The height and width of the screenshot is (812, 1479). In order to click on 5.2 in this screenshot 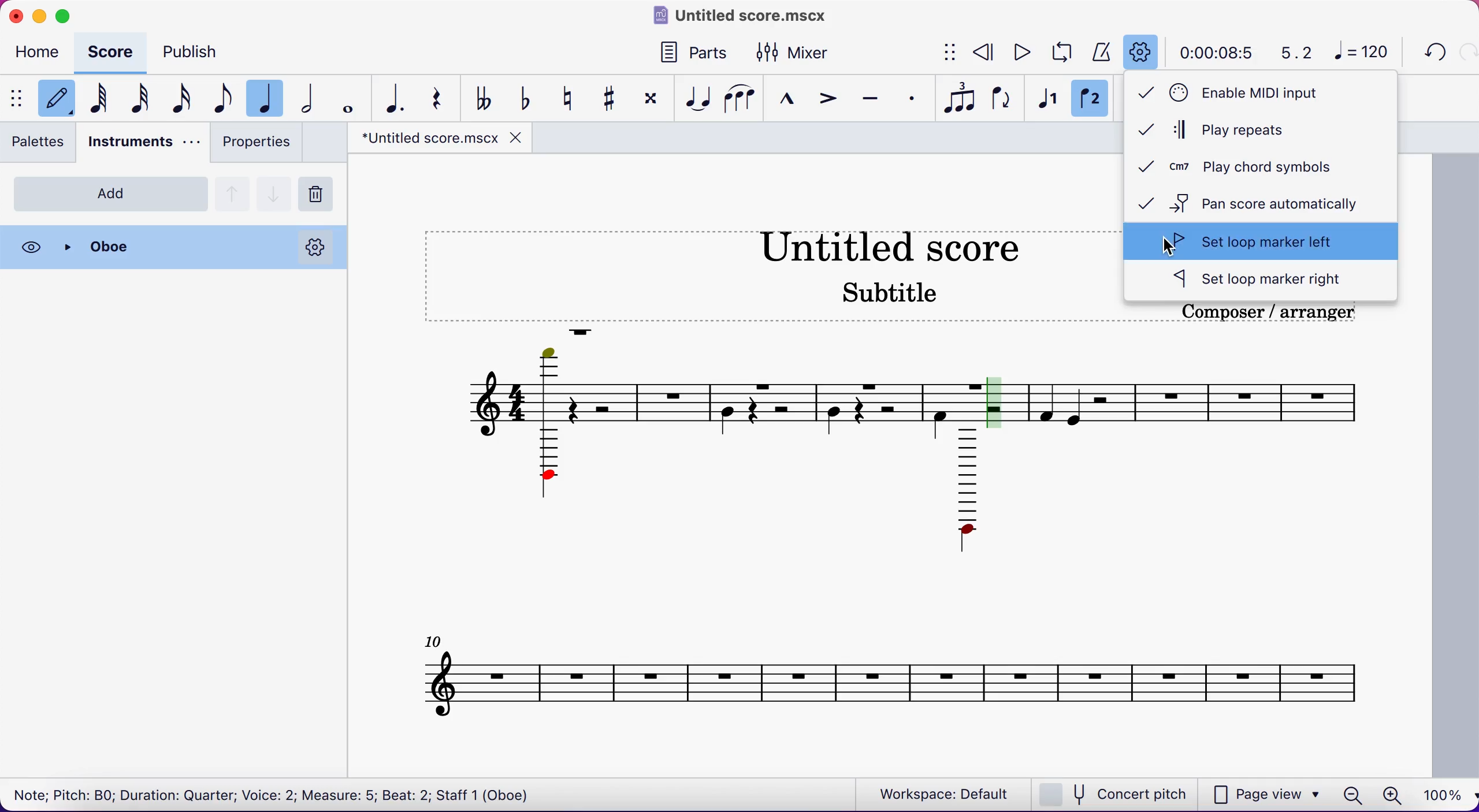, I will do `click(1290, 53)`.